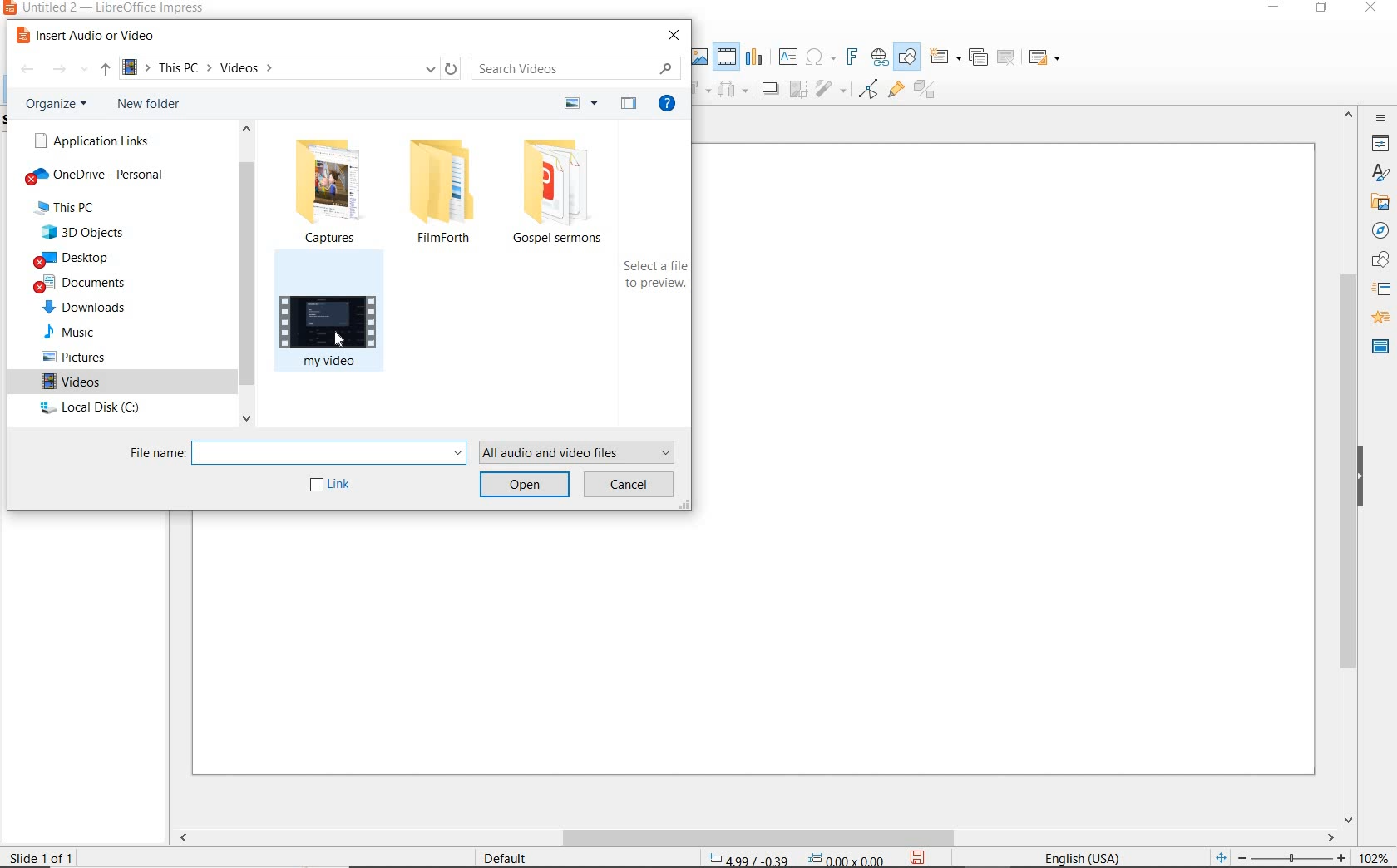 This screenshot has height=868, width=1397. I want to click on SIDEBAR SETTINGS, so click(1380, 118).